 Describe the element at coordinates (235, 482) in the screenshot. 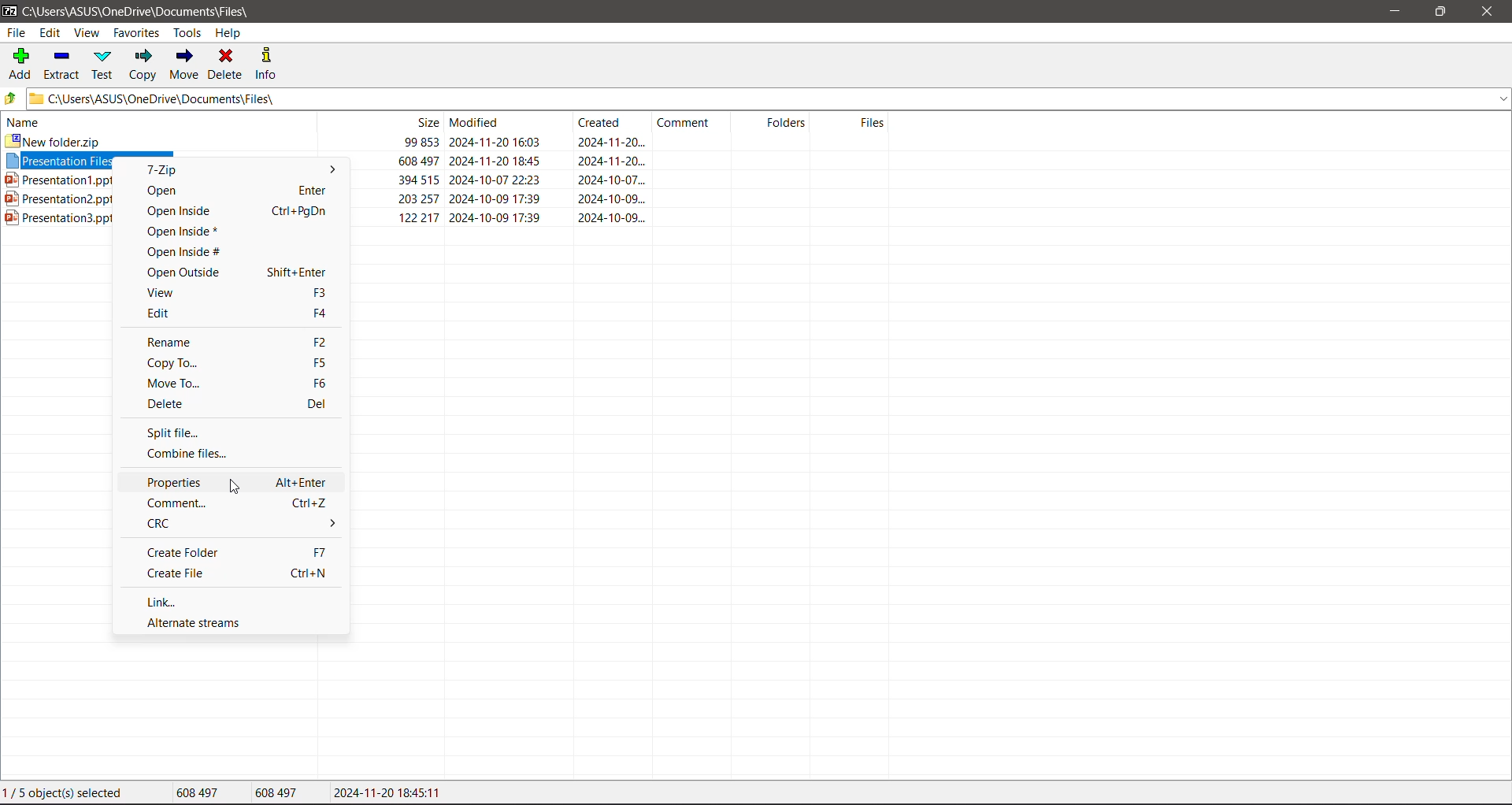

I see `Properties` at that location.